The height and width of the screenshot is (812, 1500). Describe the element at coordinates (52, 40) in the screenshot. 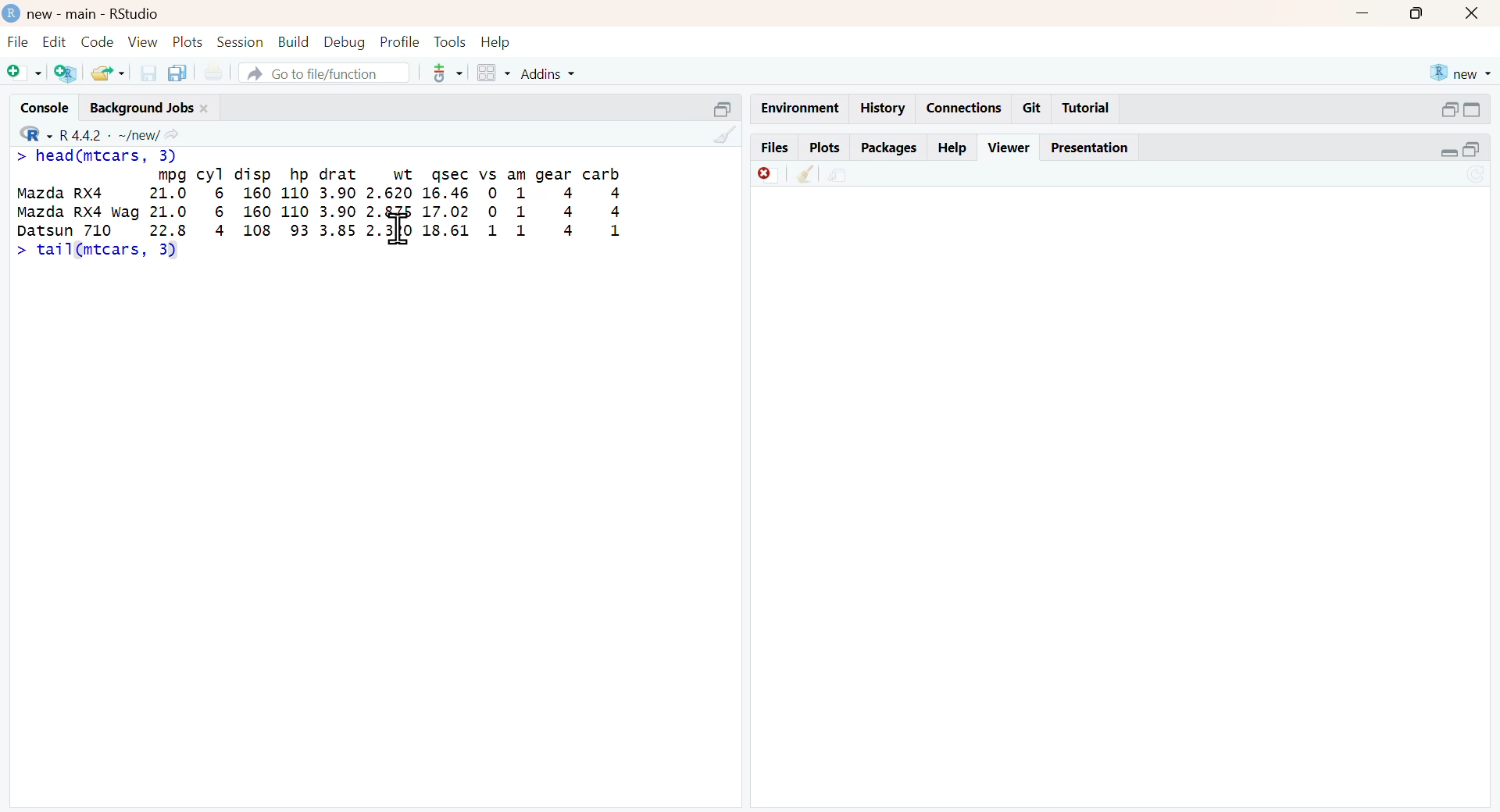

I see `Edit` at that location.